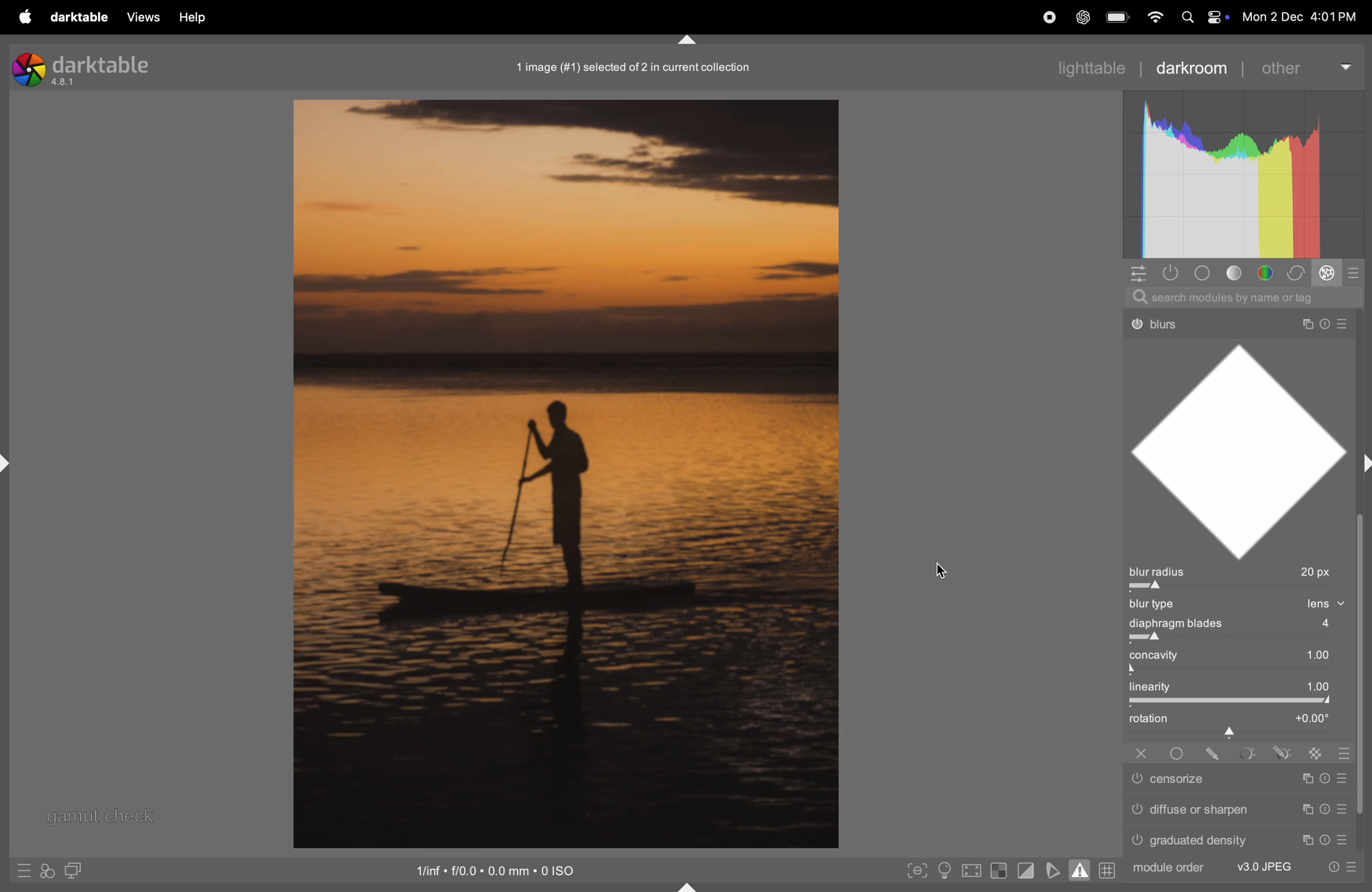  Describe the element at coordinates (974, 870) in the screenshot. I see `toggle high quality processing` at that location.